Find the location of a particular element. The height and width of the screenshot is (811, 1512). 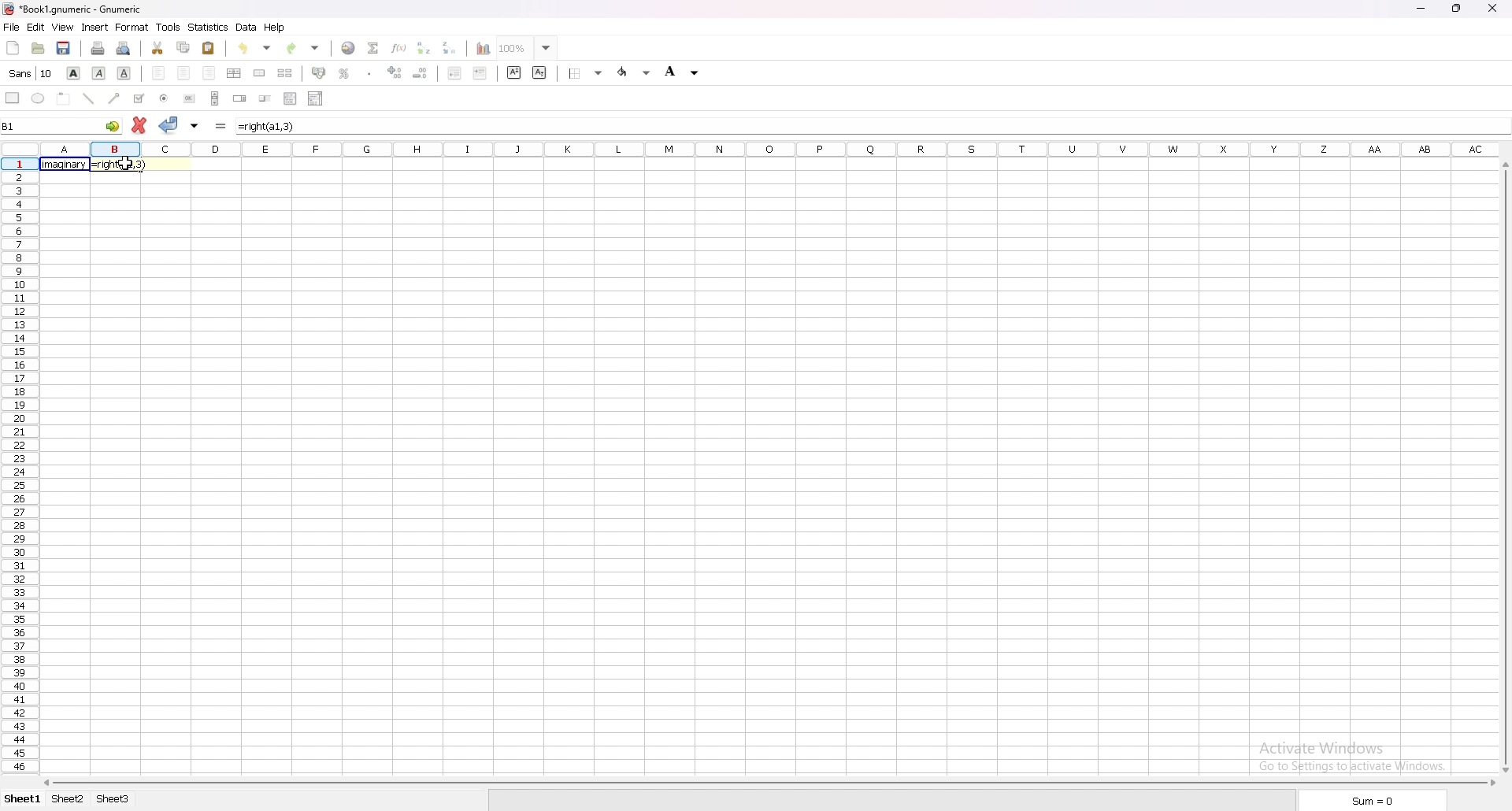

decrease decimals is located at coordinates (421, 72).